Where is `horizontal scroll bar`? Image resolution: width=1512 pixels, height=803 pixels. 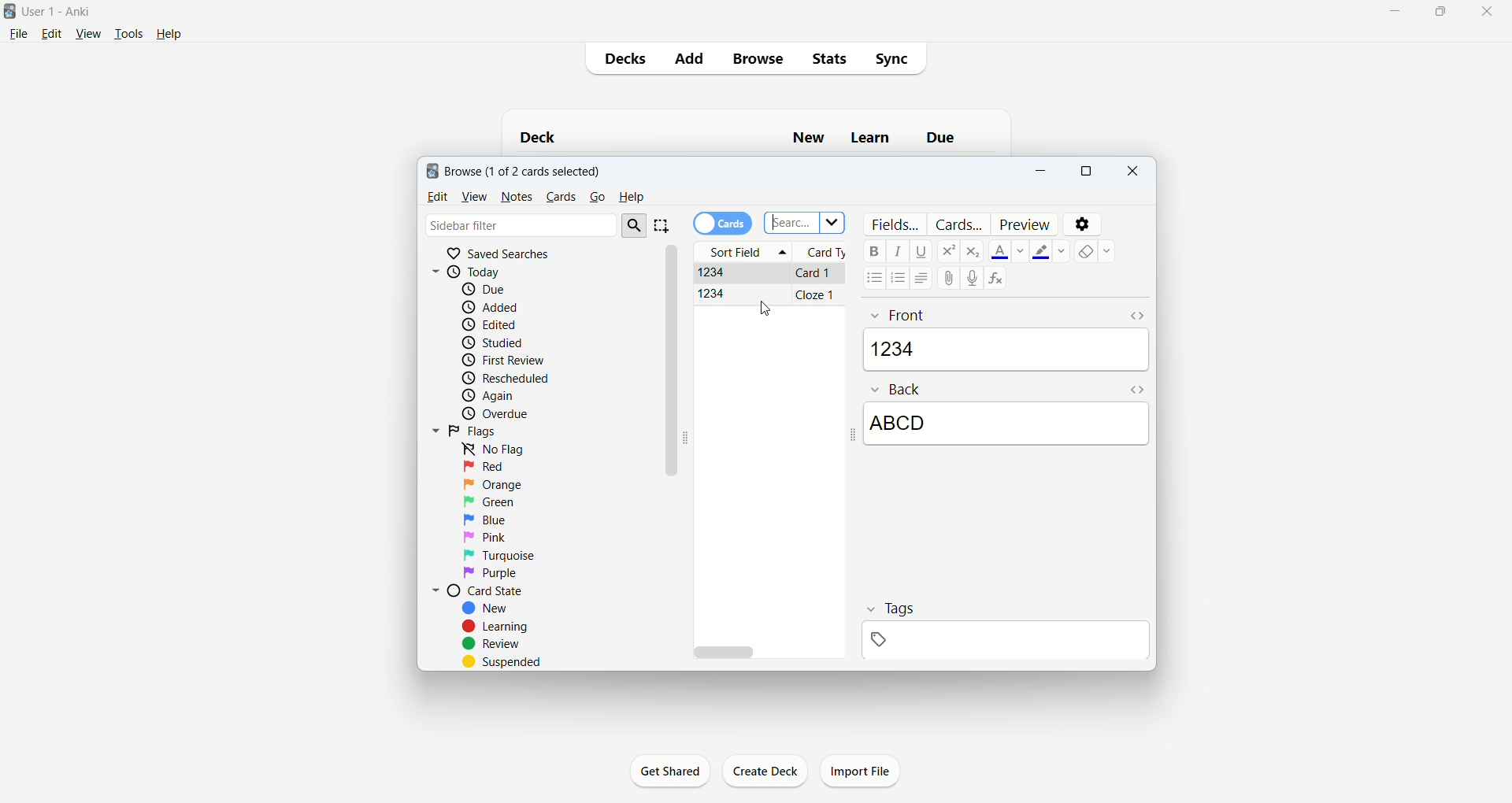 horizontal scroll bar is located at coordinates (769, 649).